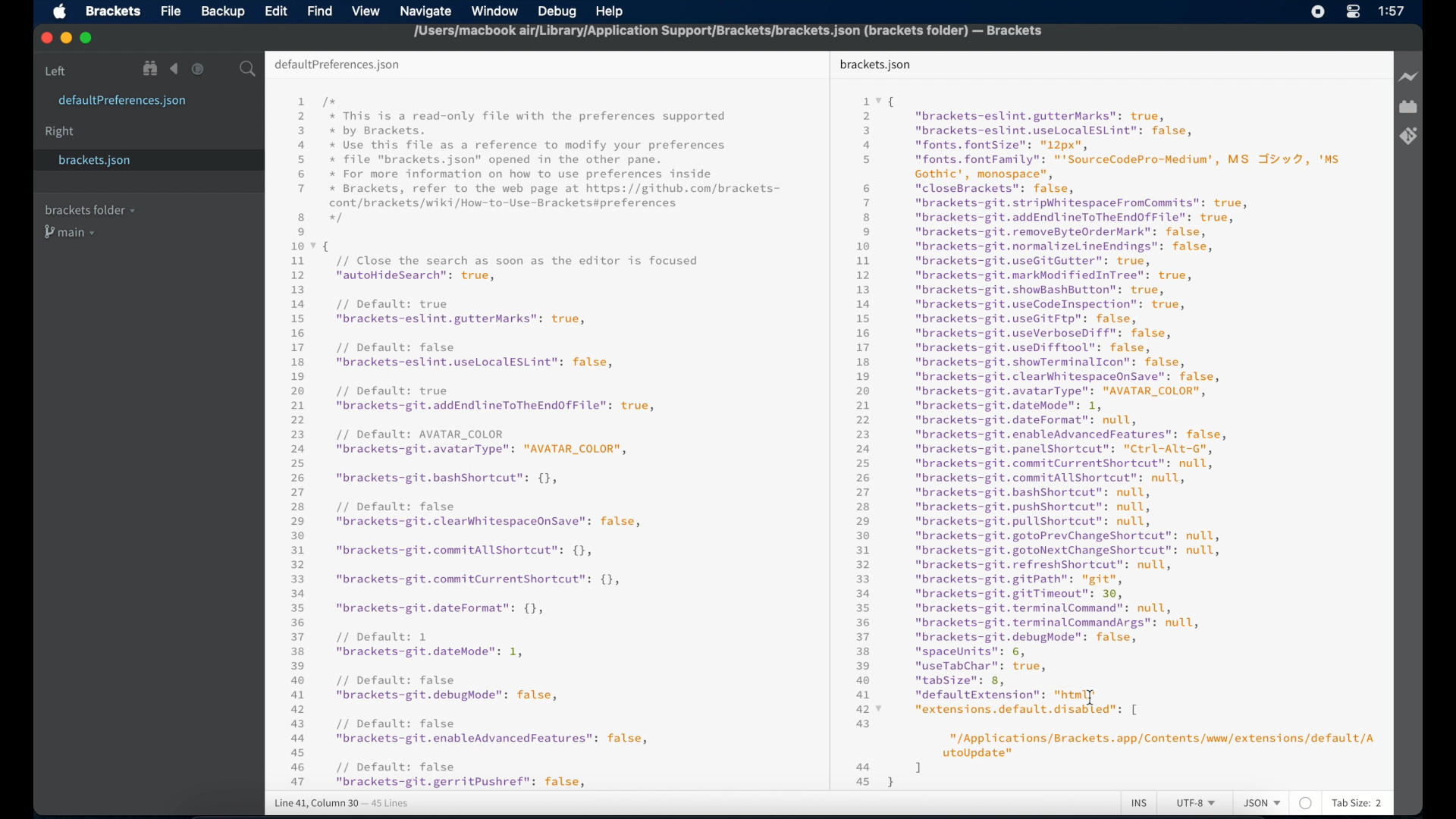 Image resolution: width=1456 pixels, height=819 pixels. What do you see at coordinates (223, 11) in the screenshot?
I see `backup` at bounding box center [223, 11].